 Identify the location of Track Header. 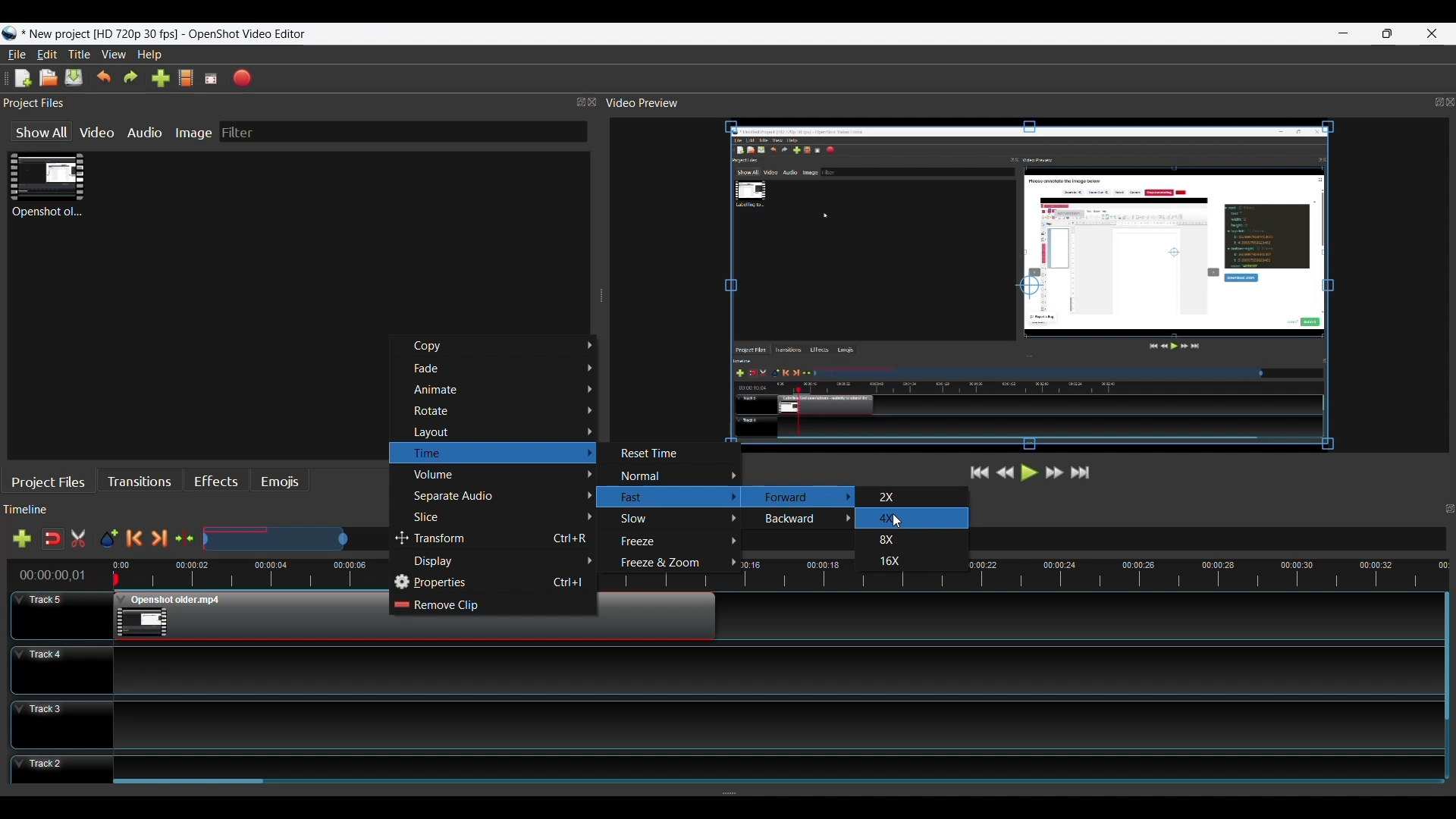
(57, 613).